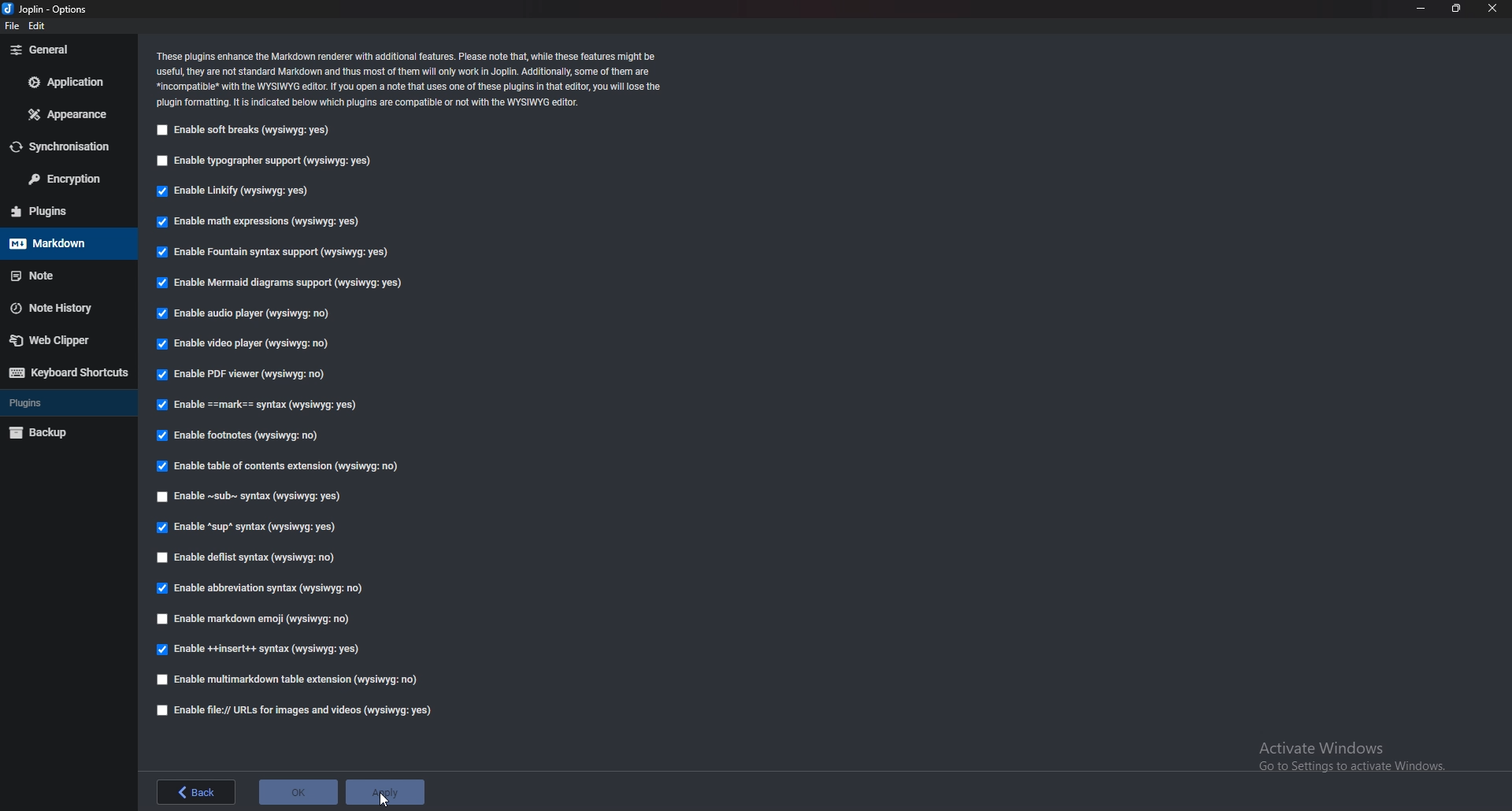  Describe the element at coordinates (64, 147) in the screenshot. I see `Synchronization` at that location.